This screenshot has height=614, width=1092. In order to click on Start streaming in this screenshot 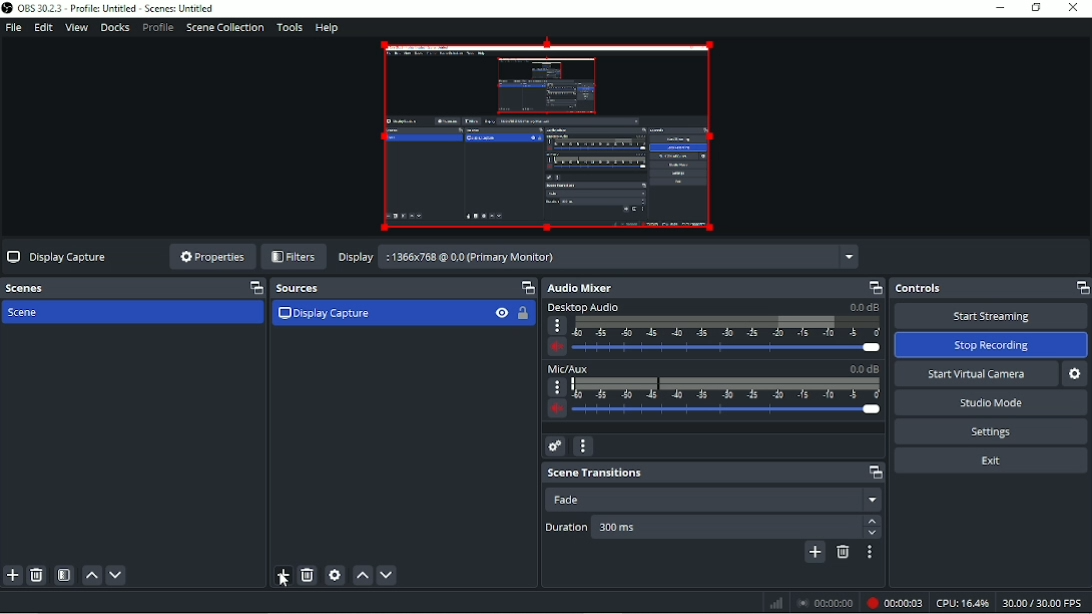, I will do `click(991, 314)`.